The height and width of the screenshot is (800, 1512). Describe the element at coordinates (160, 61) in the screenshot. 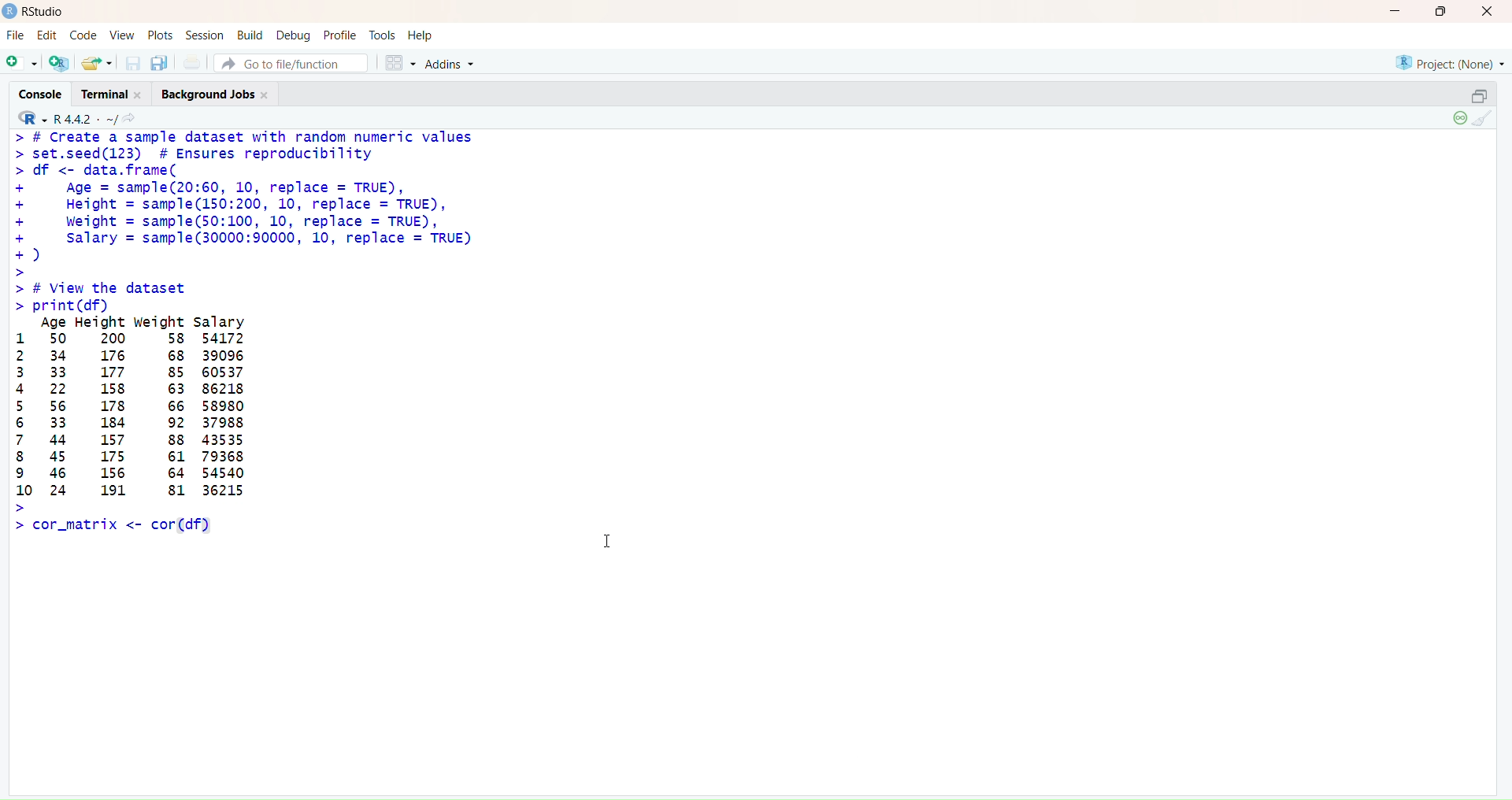

I see `Save all open documents (Ctrl + Alt + S)` at that location.